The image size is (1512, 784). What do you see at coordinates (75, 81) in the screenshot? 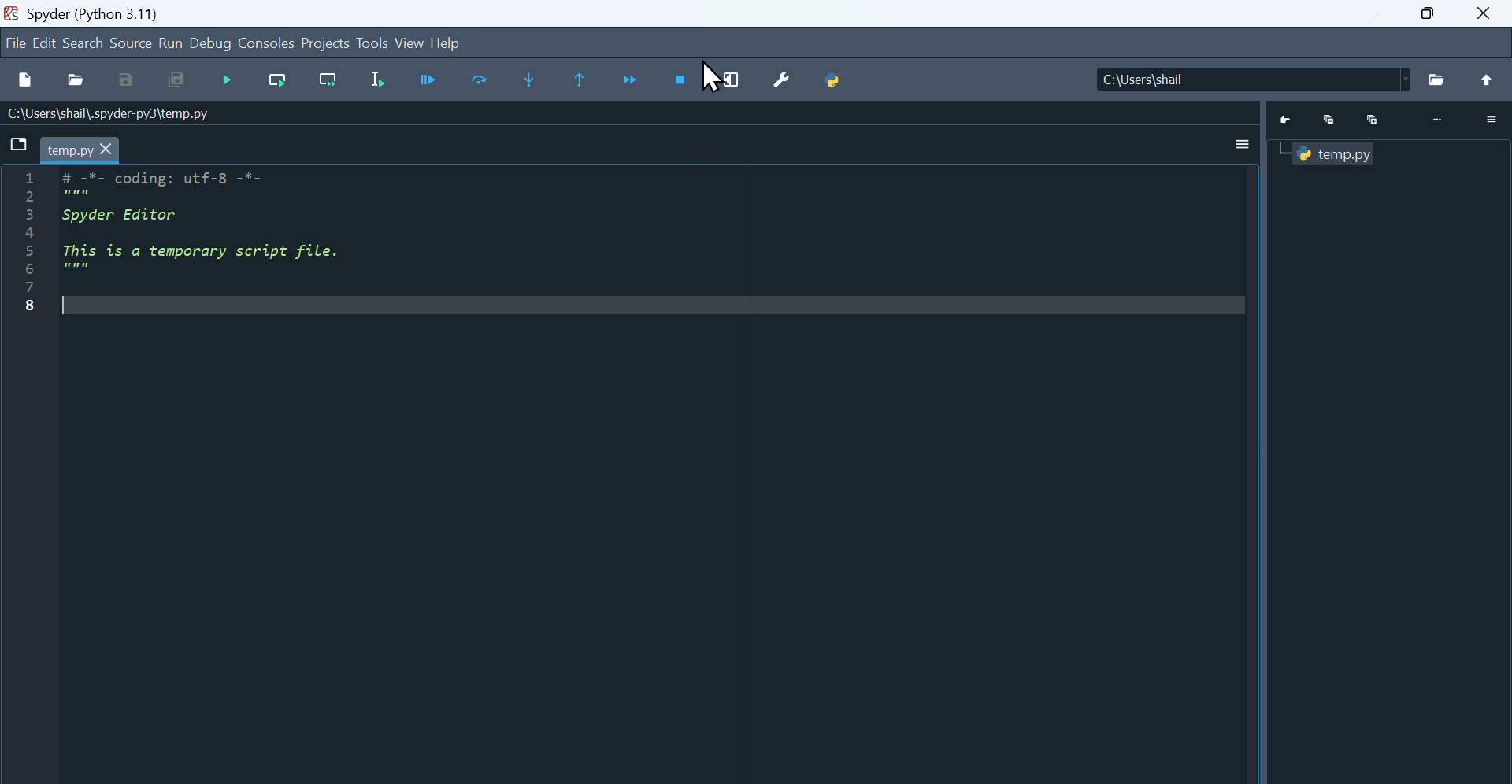
I see `Open` at bounding box center [75, 81].